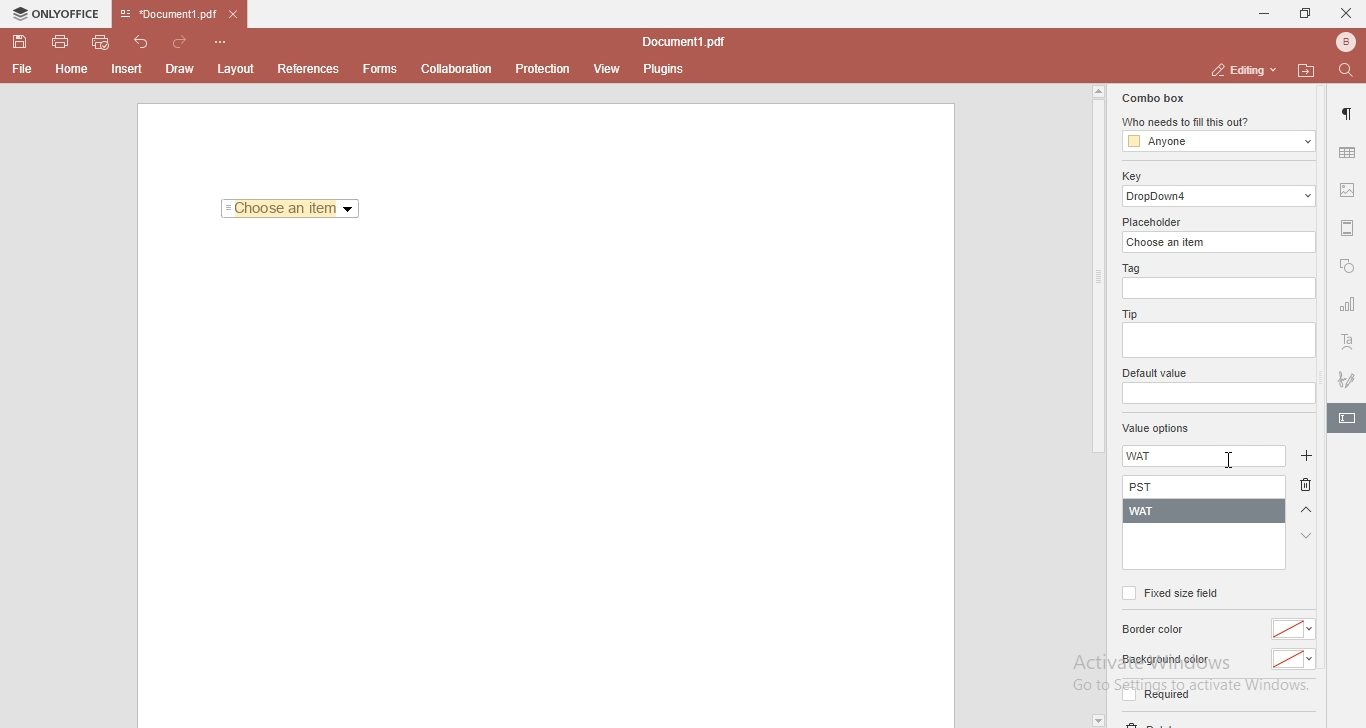 The width and height of the screenshot is (1366, 728). I want to click on protection, so click(543, 68).